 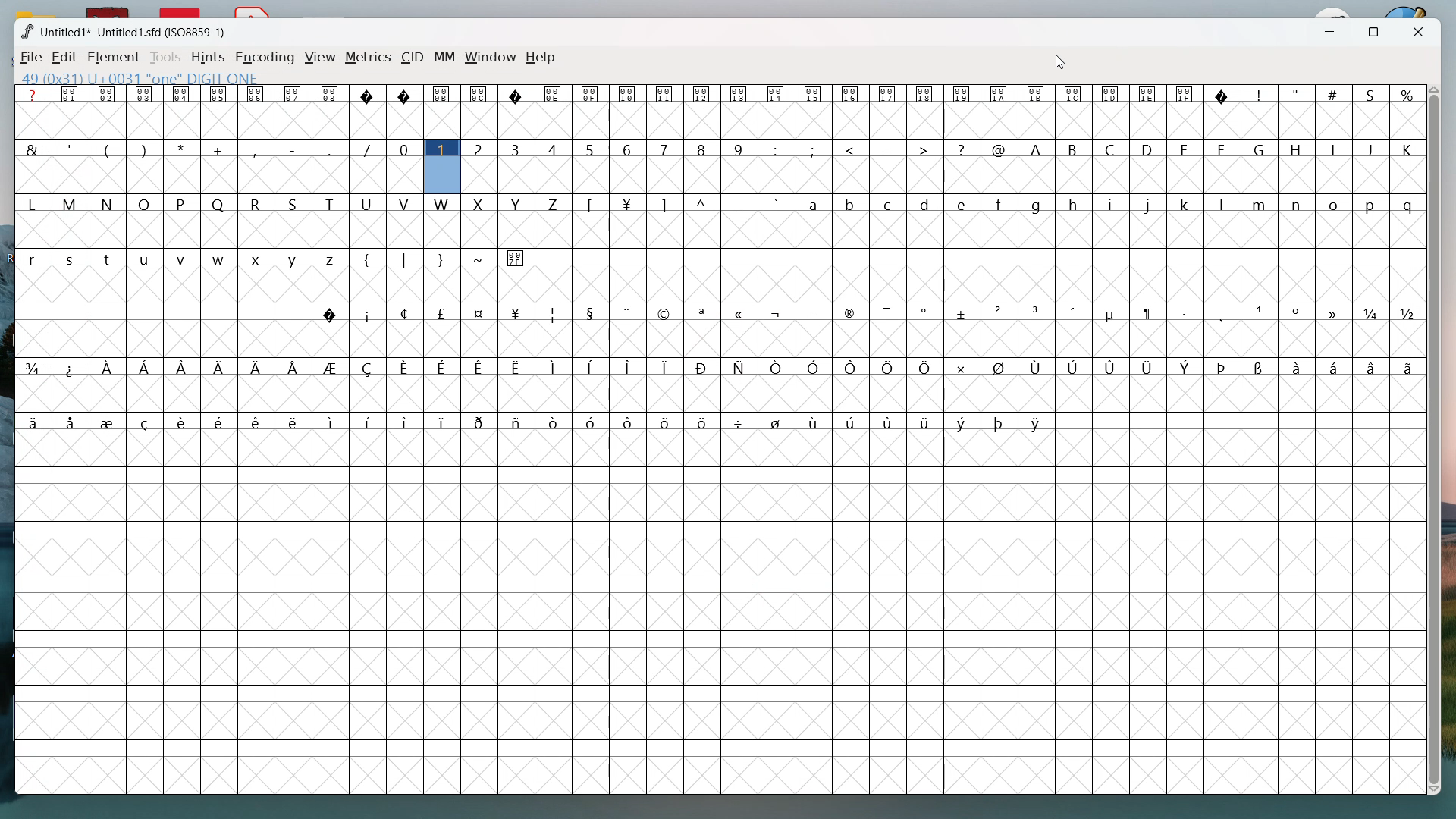 What do you see at coordinates (107, 95) in the screenshot?
I see `symbol` at bounding box center [107, 95].